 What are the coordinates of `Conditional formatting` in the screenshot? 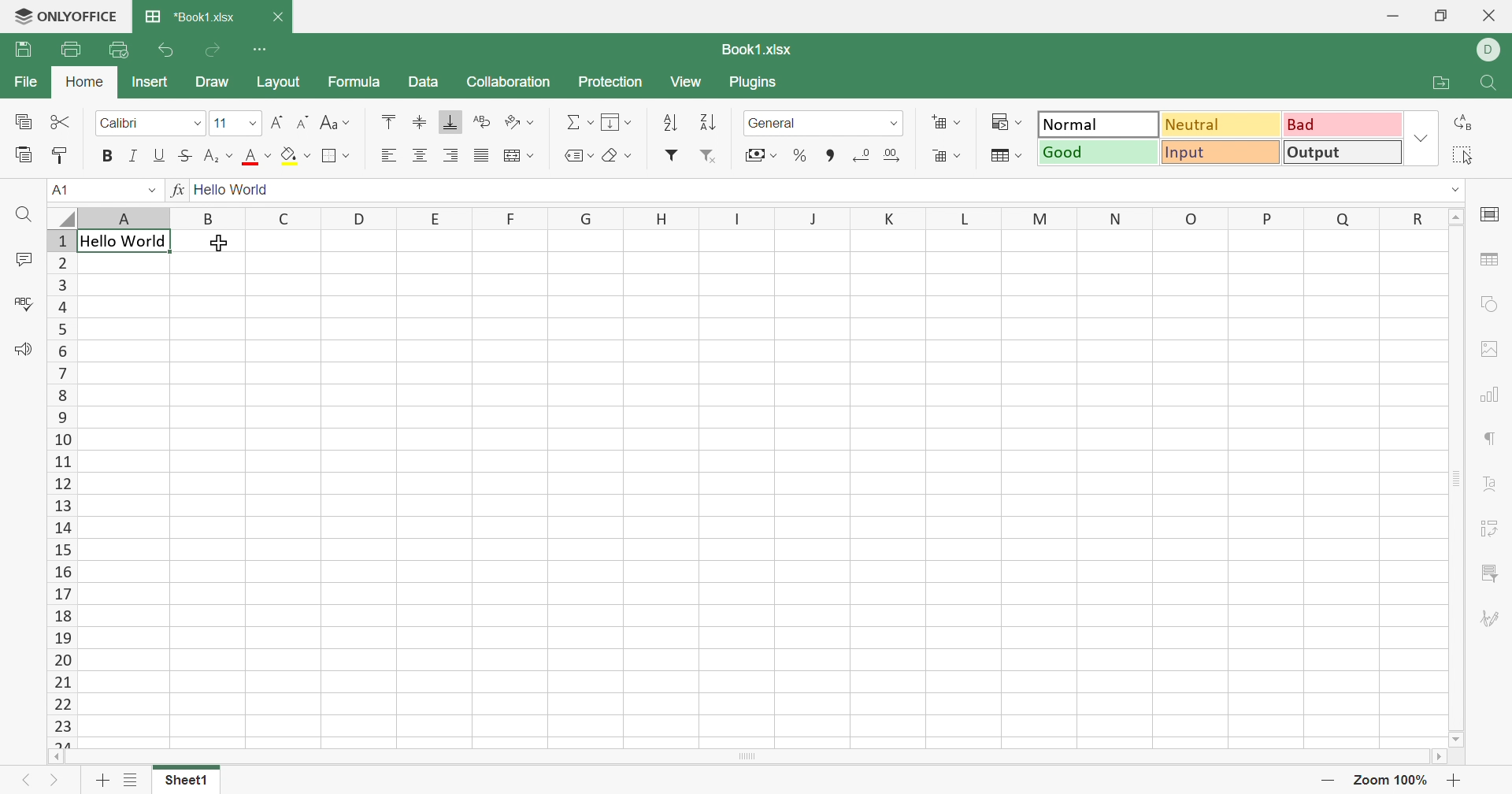 It's located at (1006, 123).